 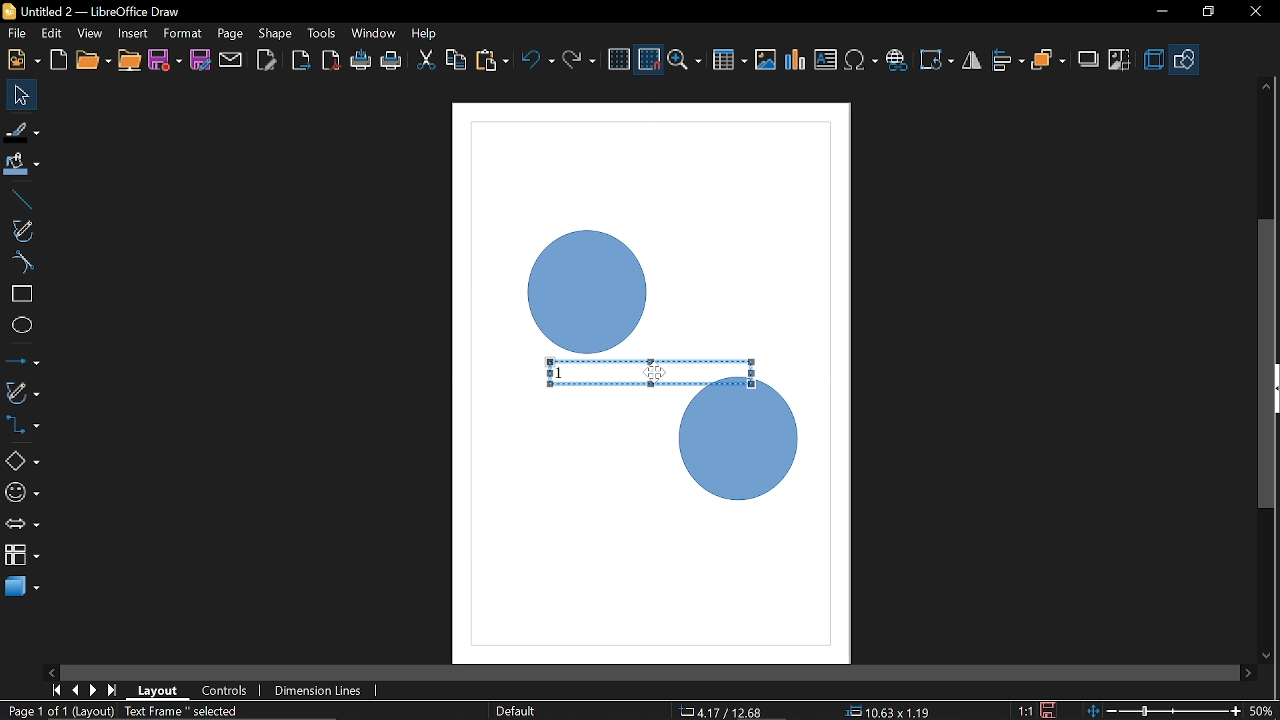 I want to click on Open template manager, so click(x=58, y=60).